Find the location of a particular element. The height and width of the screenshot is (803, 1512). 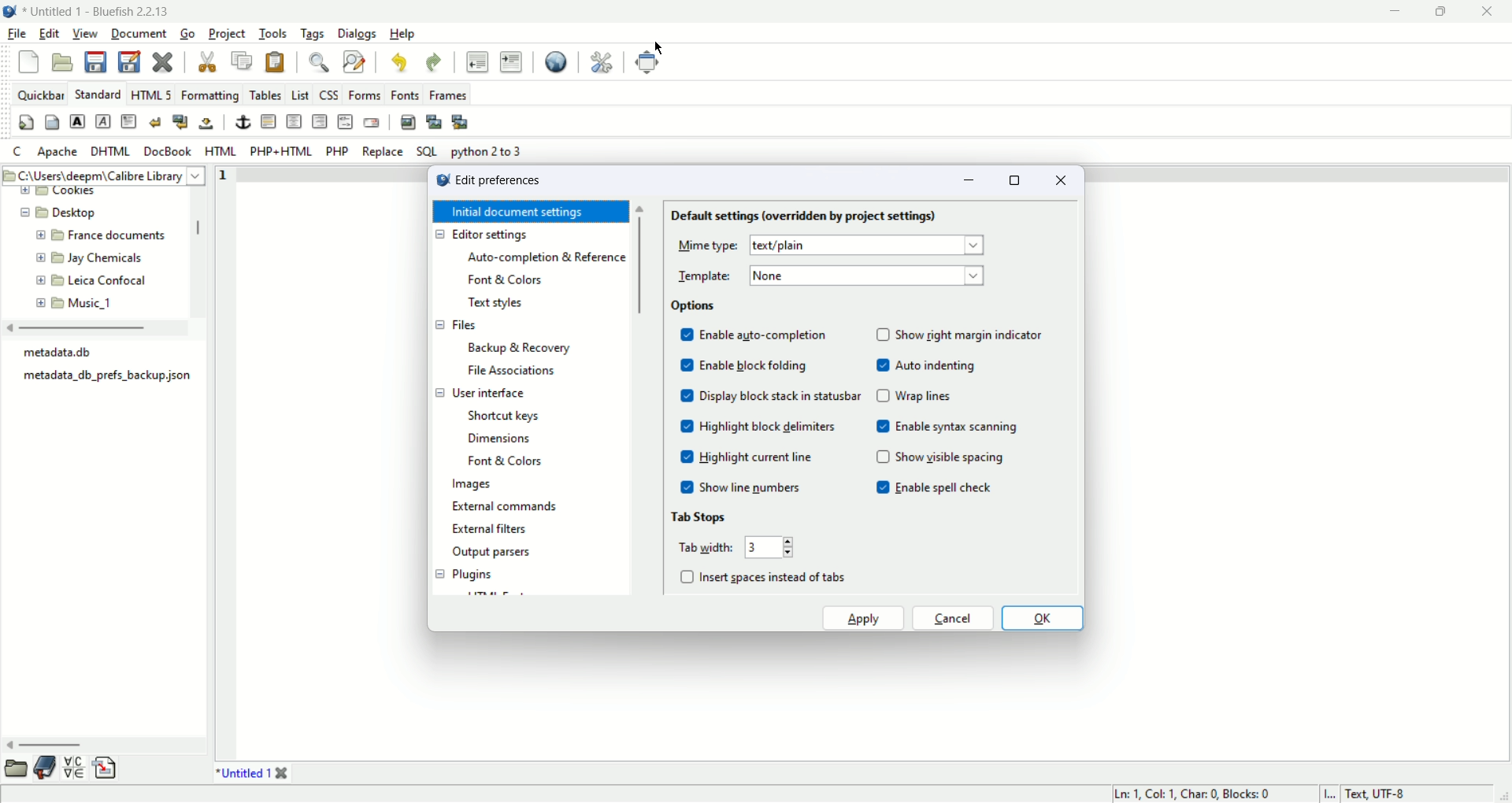

backup and recovery is located at coordinates (521, 350).